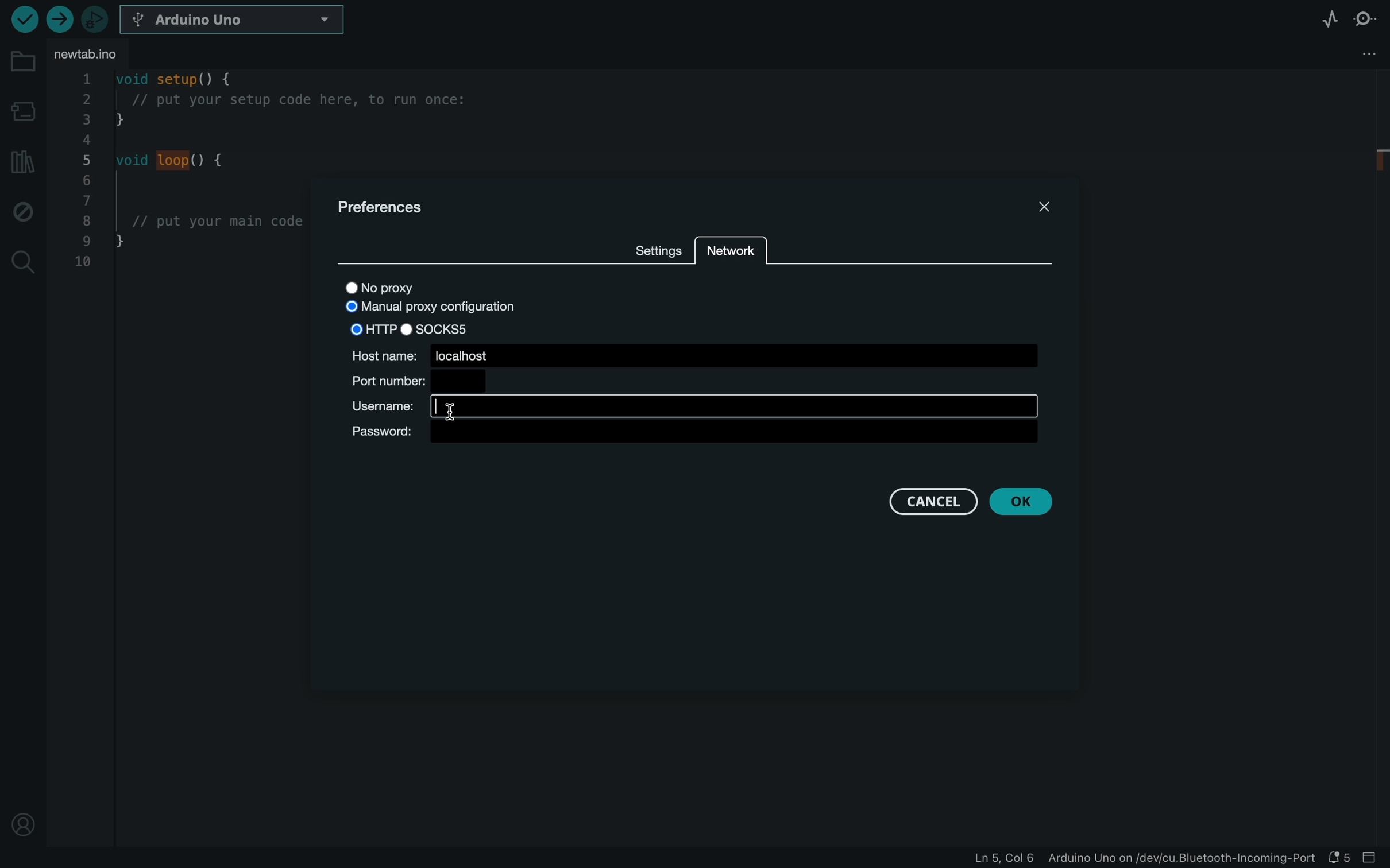 The height and width of the screenshot is (868, 1390). I want to click on serial monitor, so click(1365, 23).